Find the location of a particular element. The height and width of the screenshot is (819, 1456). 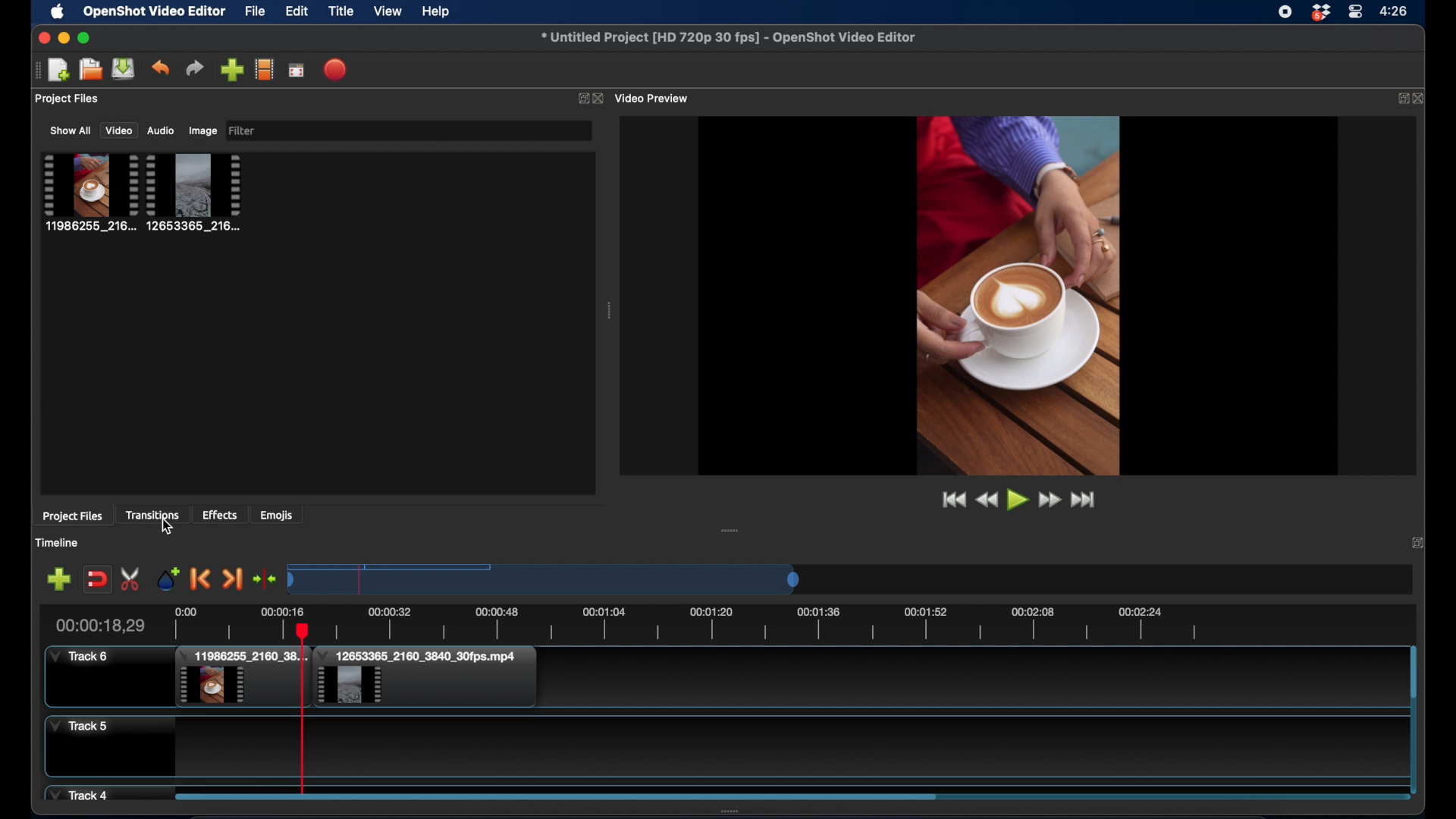

scroll bar is located at coordinates (1413, 673).